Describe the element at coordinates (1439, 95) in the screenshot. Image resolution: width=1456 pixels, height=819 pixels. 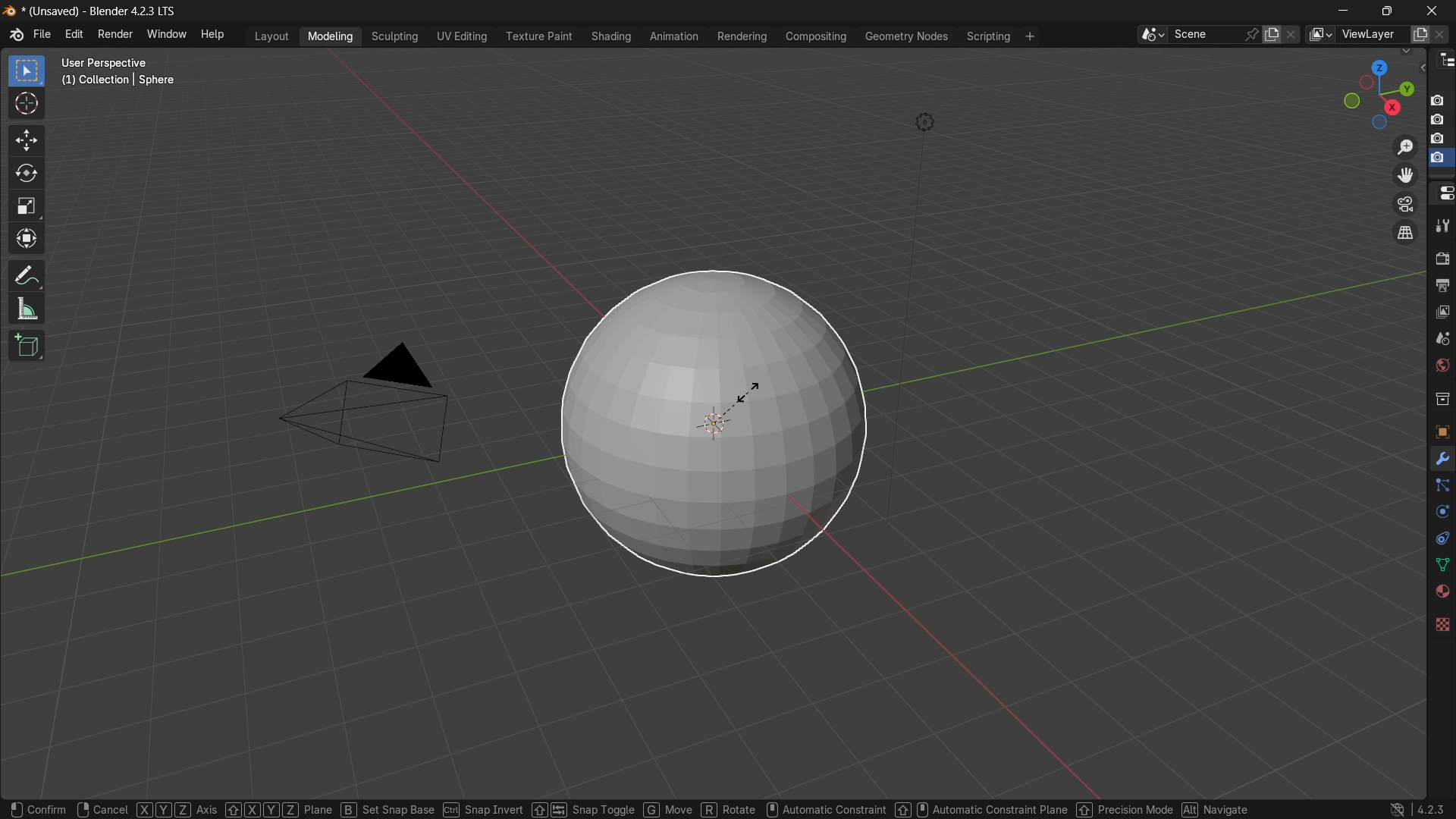
I see `capture` at that location.